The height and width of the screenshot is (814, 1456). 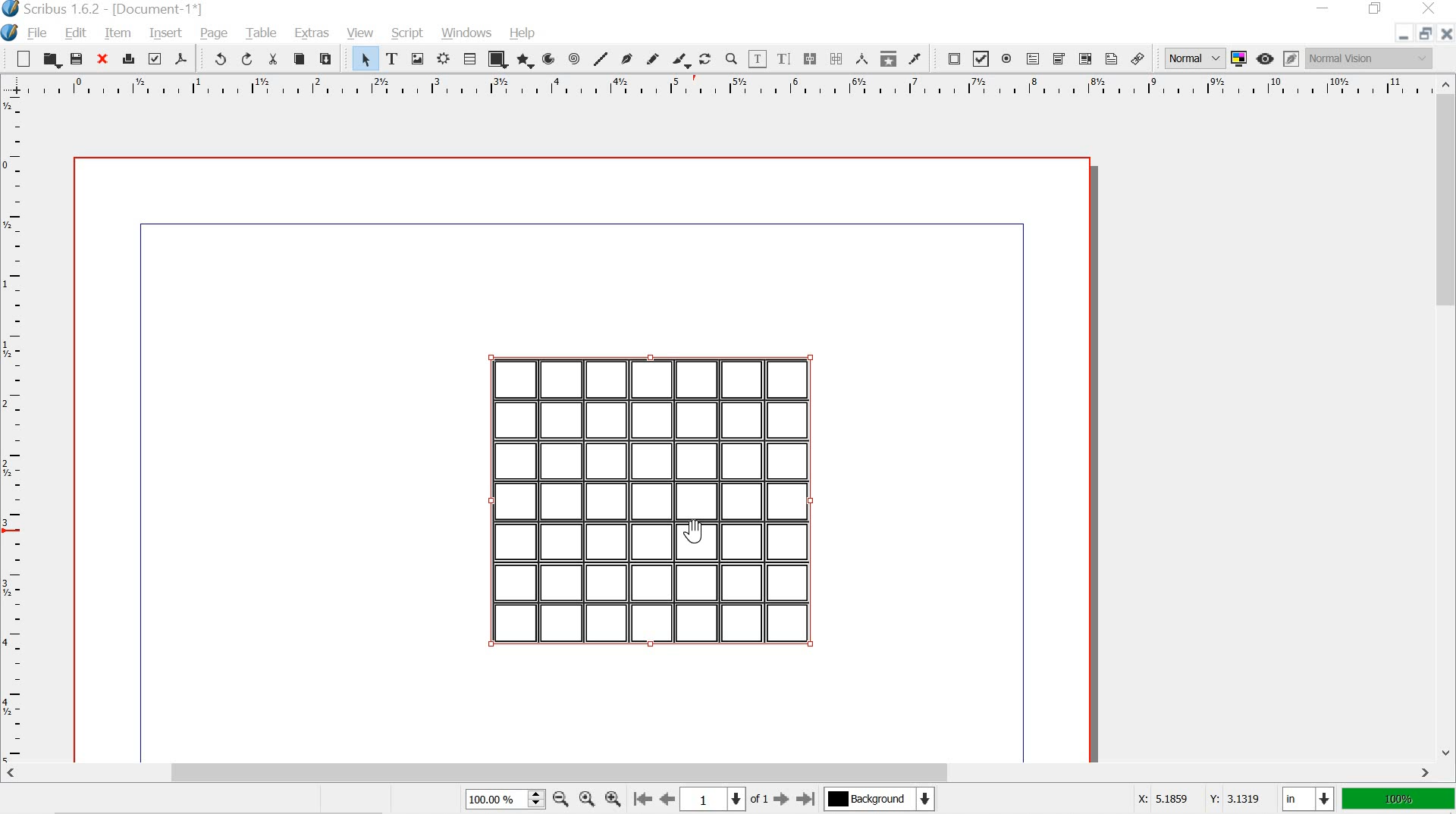 I want to click on help, so click(x=523, y=31).